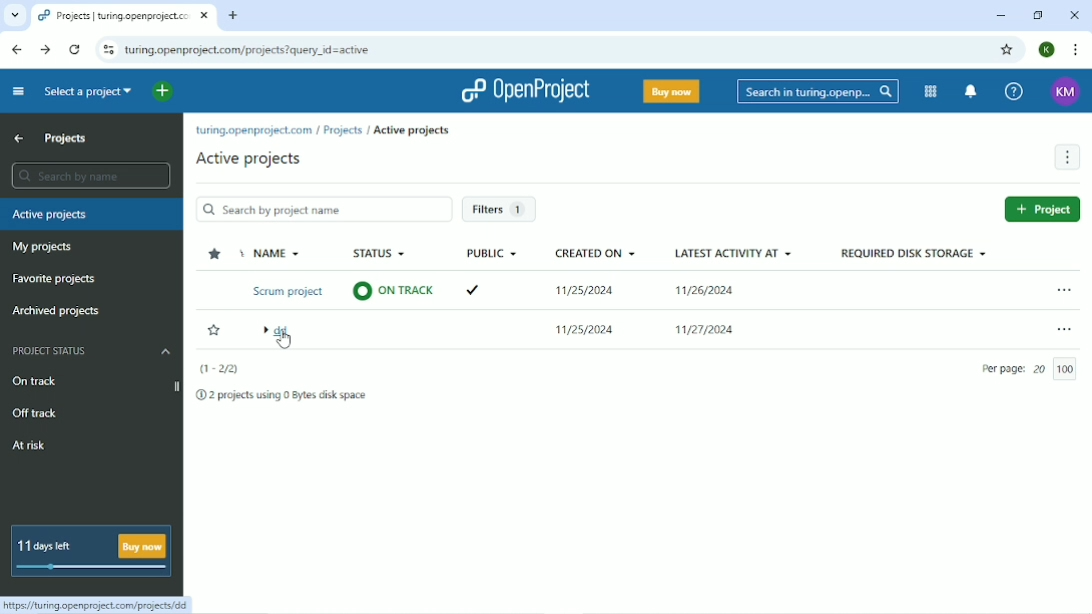 This screenshot has height=614, width=1092. What do you see at coordinates (18, 91) in the screenshot?
I see `Collapse project menu` at bounding box center [18, 91].